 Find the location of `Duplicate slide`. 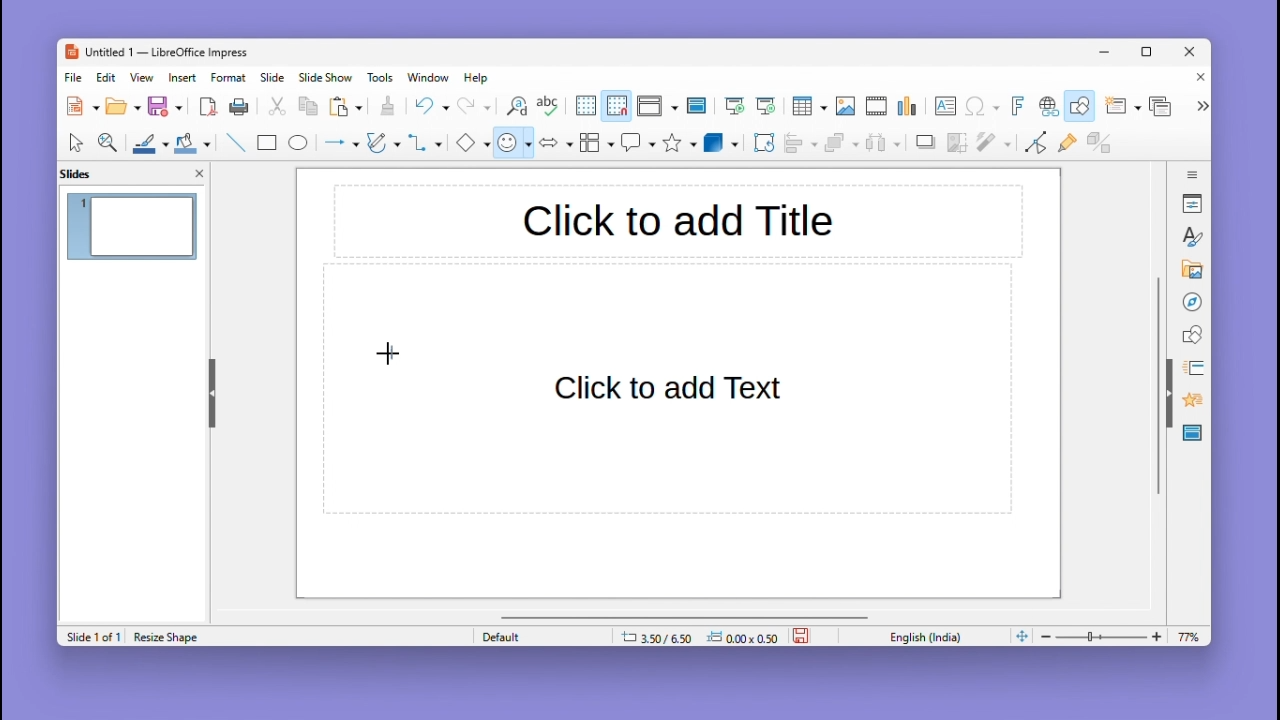

Duplicate slide is located at coordinates (1163, 106).